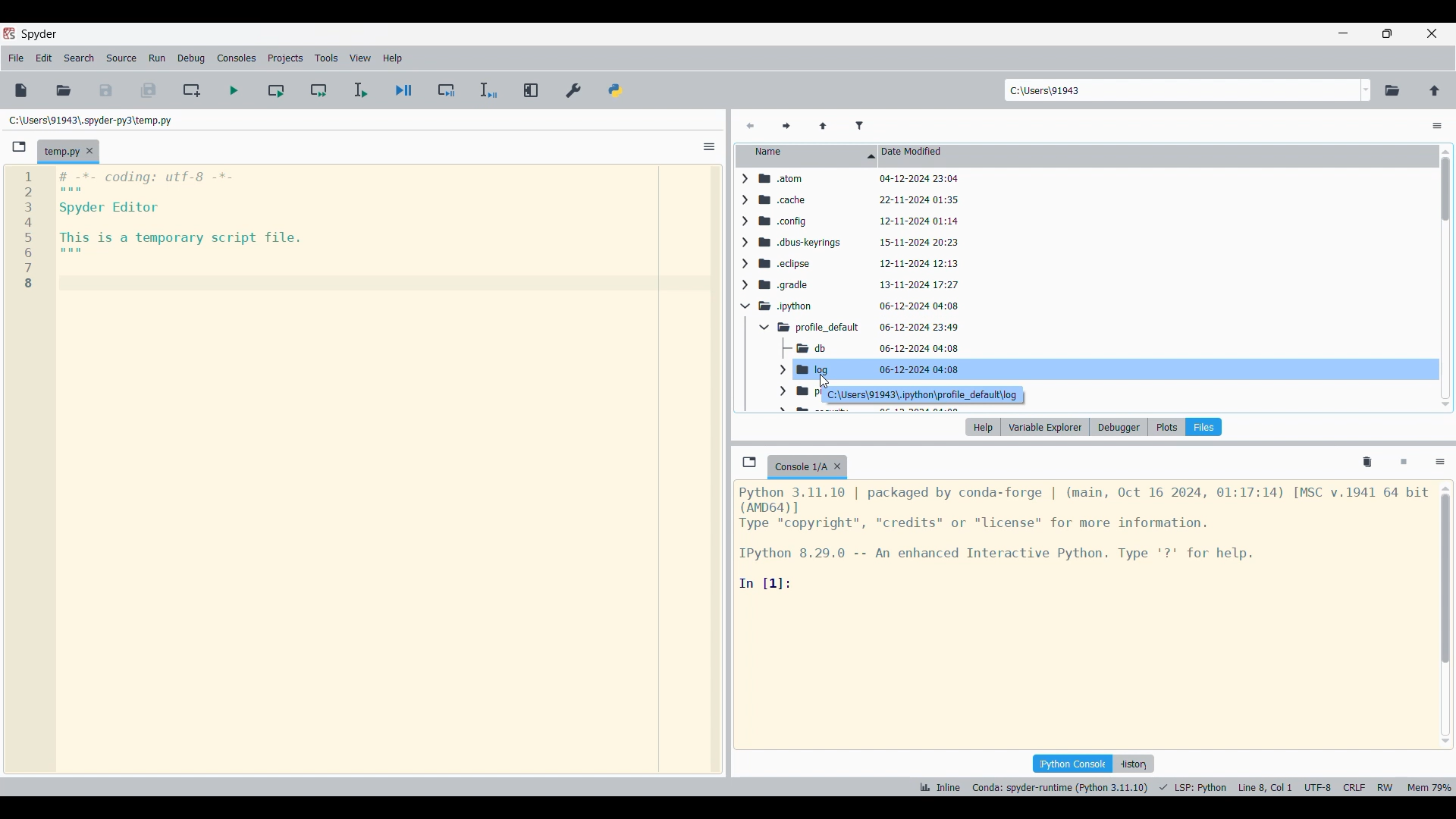  I want to click on Debug file, so click(404, 90).